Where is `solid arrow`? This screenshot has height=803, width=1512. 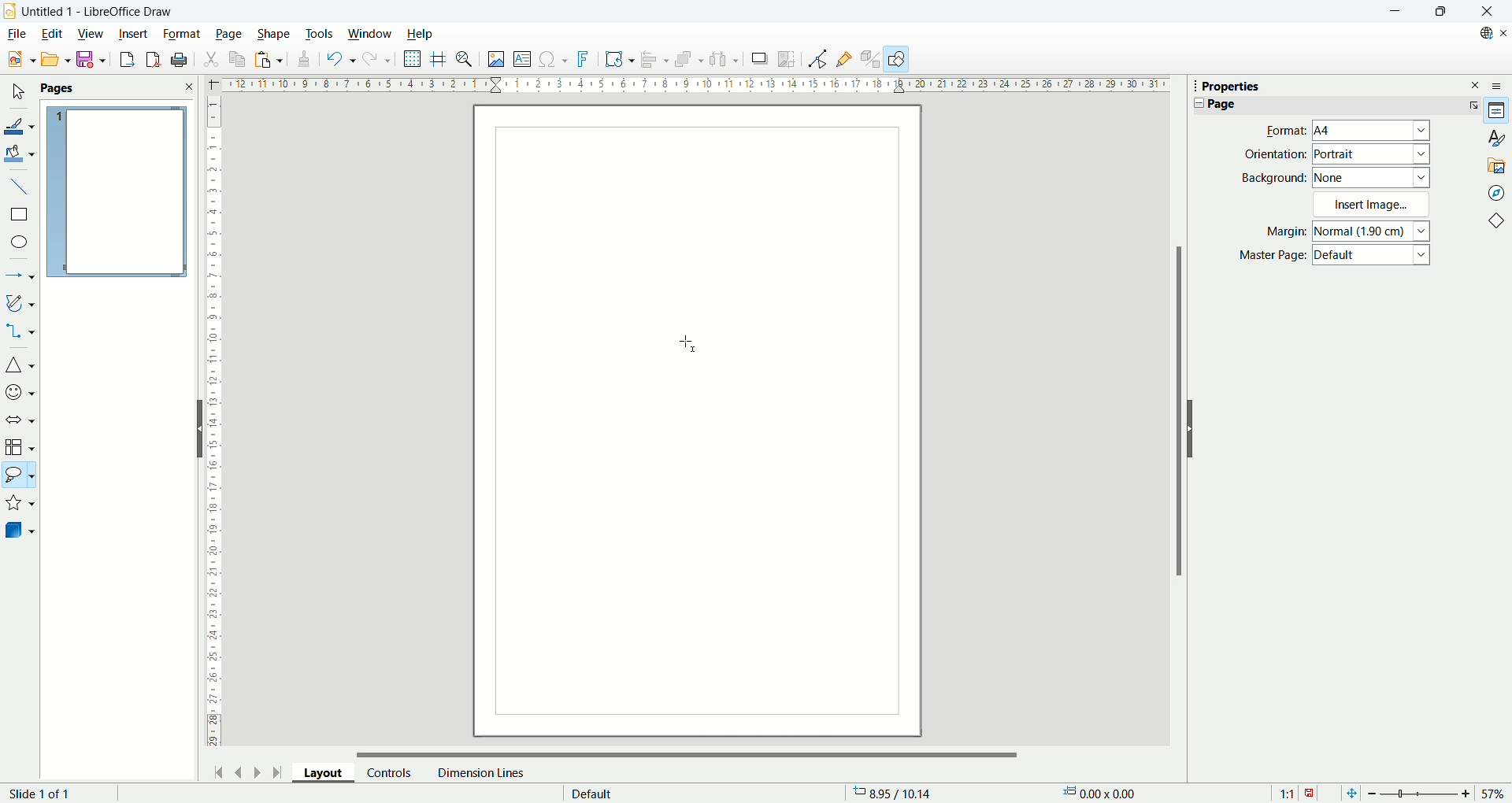 solid arrow is located at coordinates (20, 418).